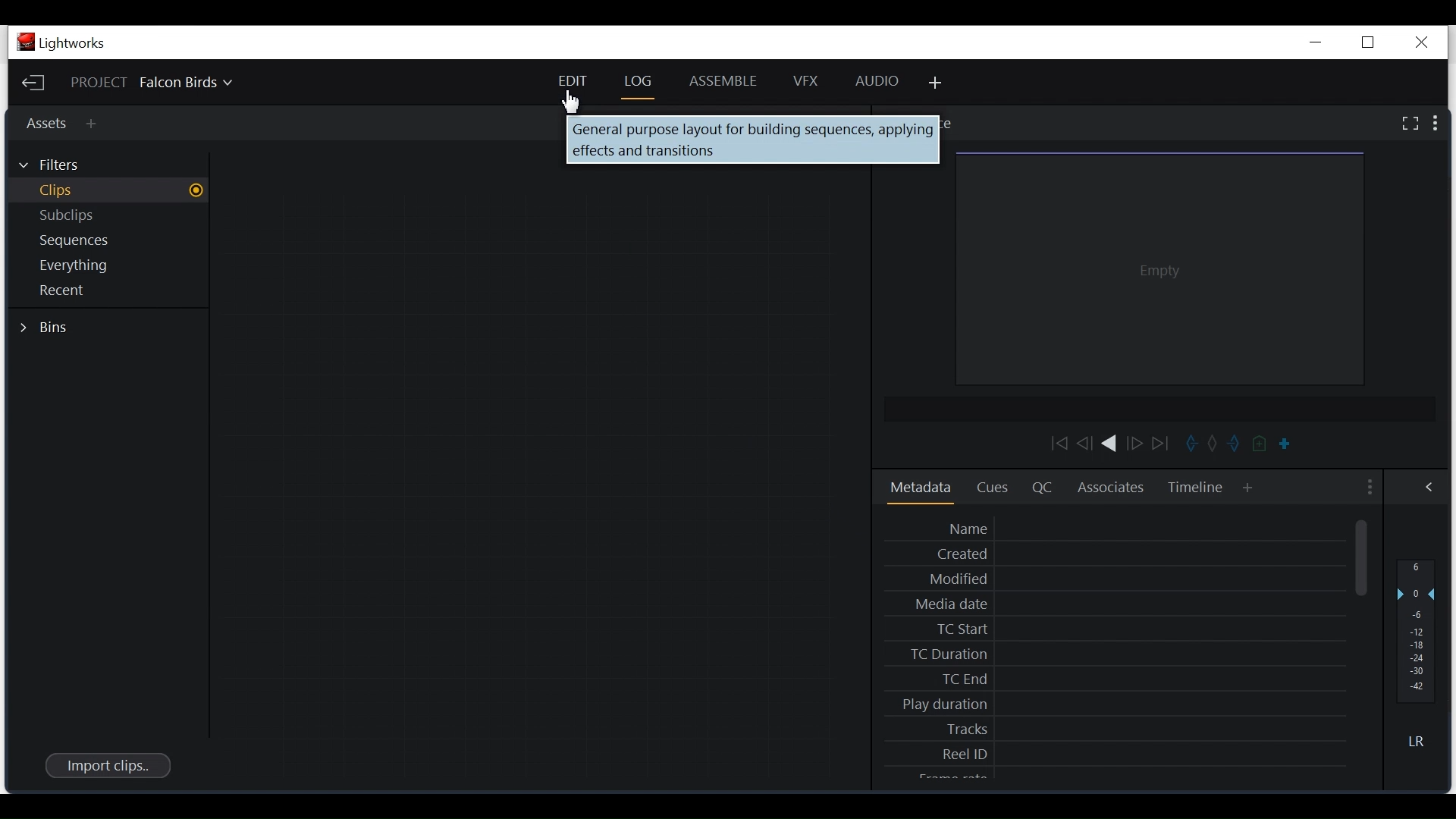 This screenshot has width=1456, height=819. Describe the element at coordinates (574, 103) in the screenshot. I see `Cursor` at that location.